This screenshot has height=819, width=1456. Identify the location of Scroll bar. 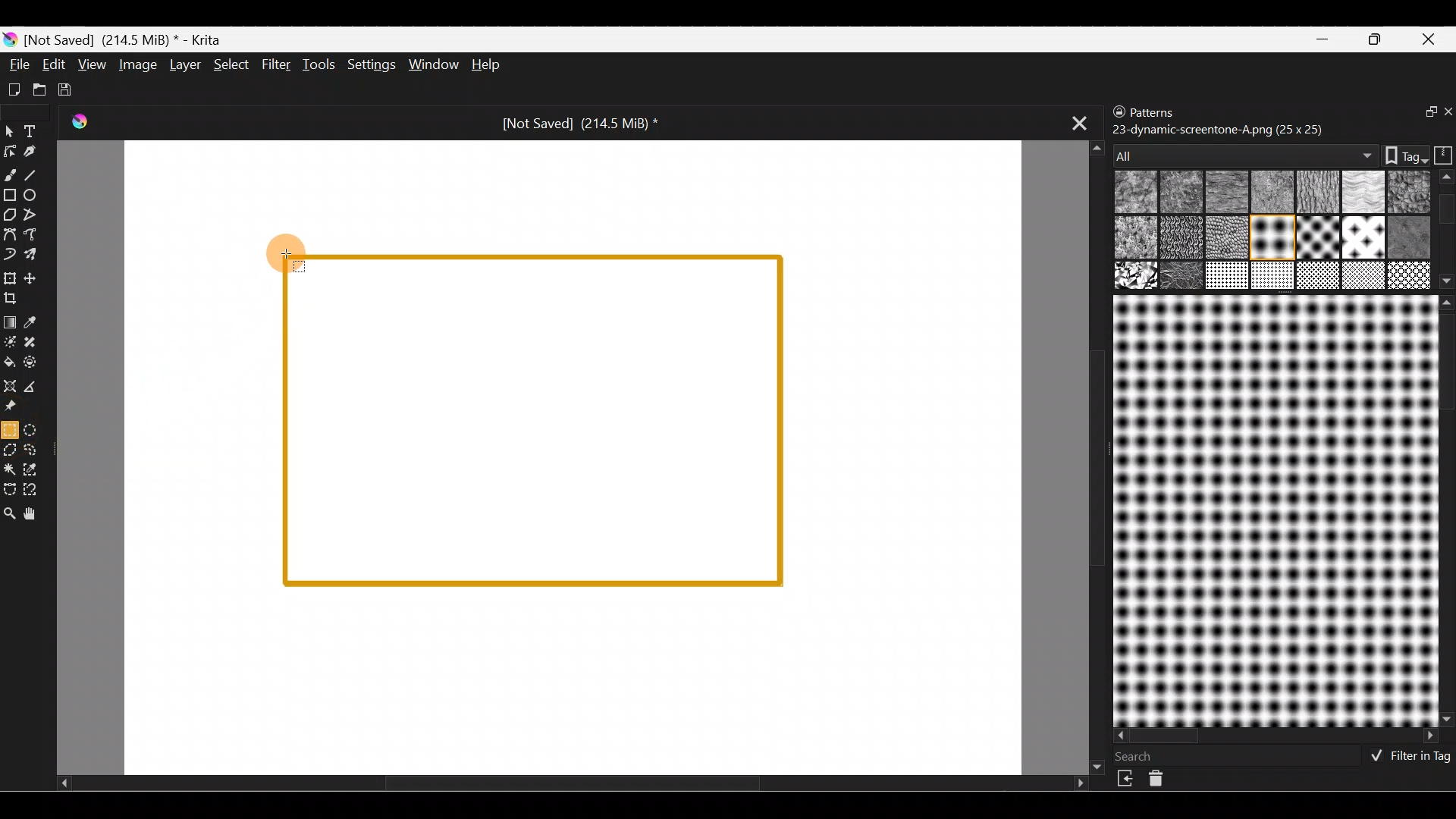
(1446, 510).